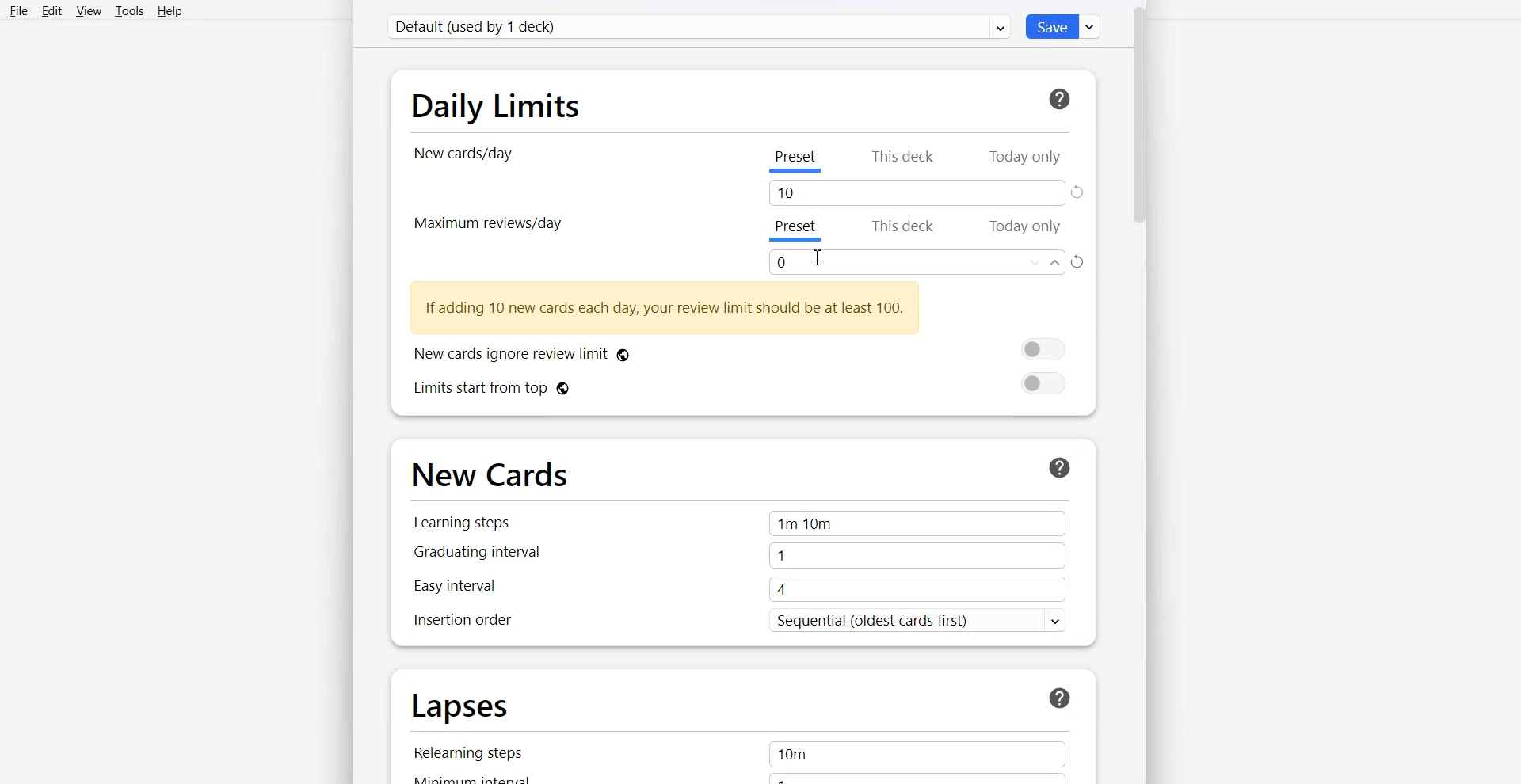 The width and height of the screenshot is (1521, 784). I want to click on Graduating interval, so click(738, 558).